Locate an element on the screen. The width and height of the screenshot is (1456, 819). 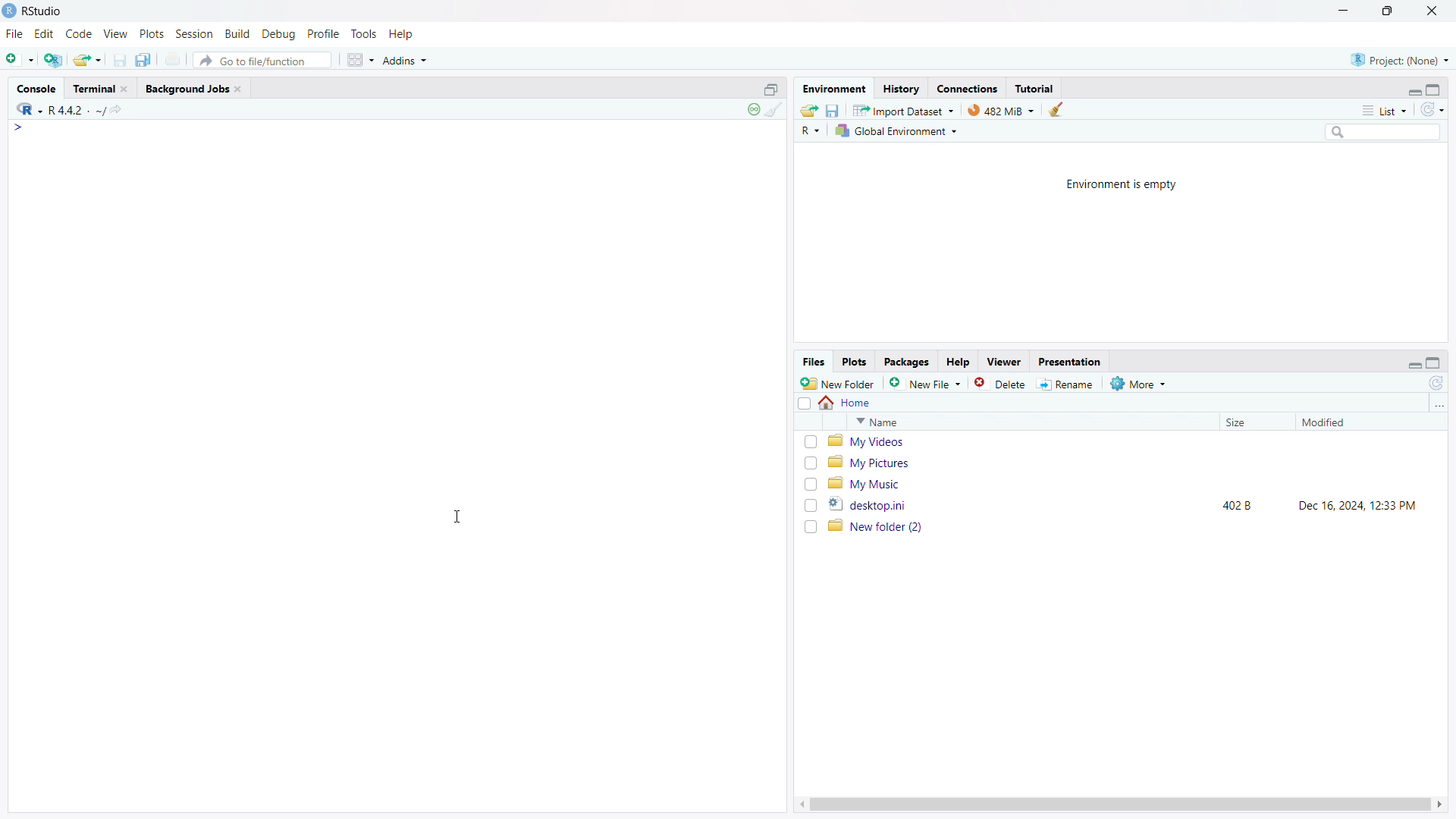
list is located at coordinates (1384, 110).